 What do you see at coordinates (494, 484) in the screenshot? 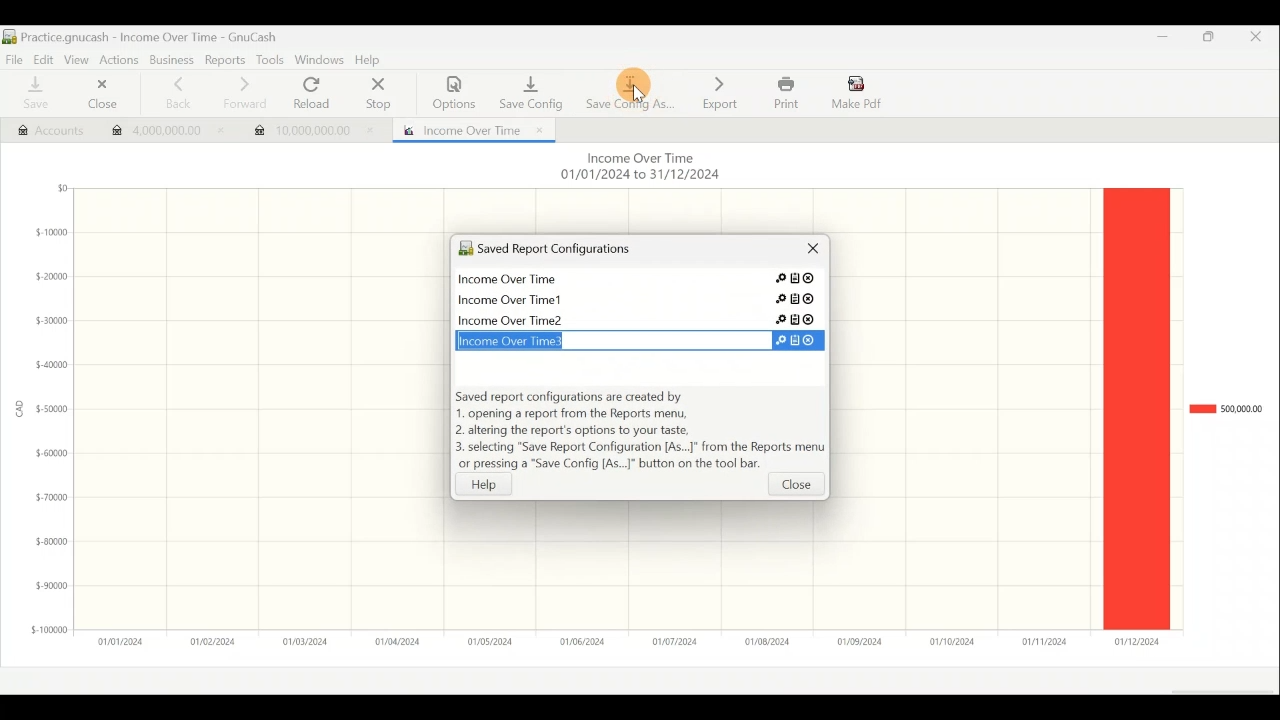
I see `Help` at bounding box center [494, 484].